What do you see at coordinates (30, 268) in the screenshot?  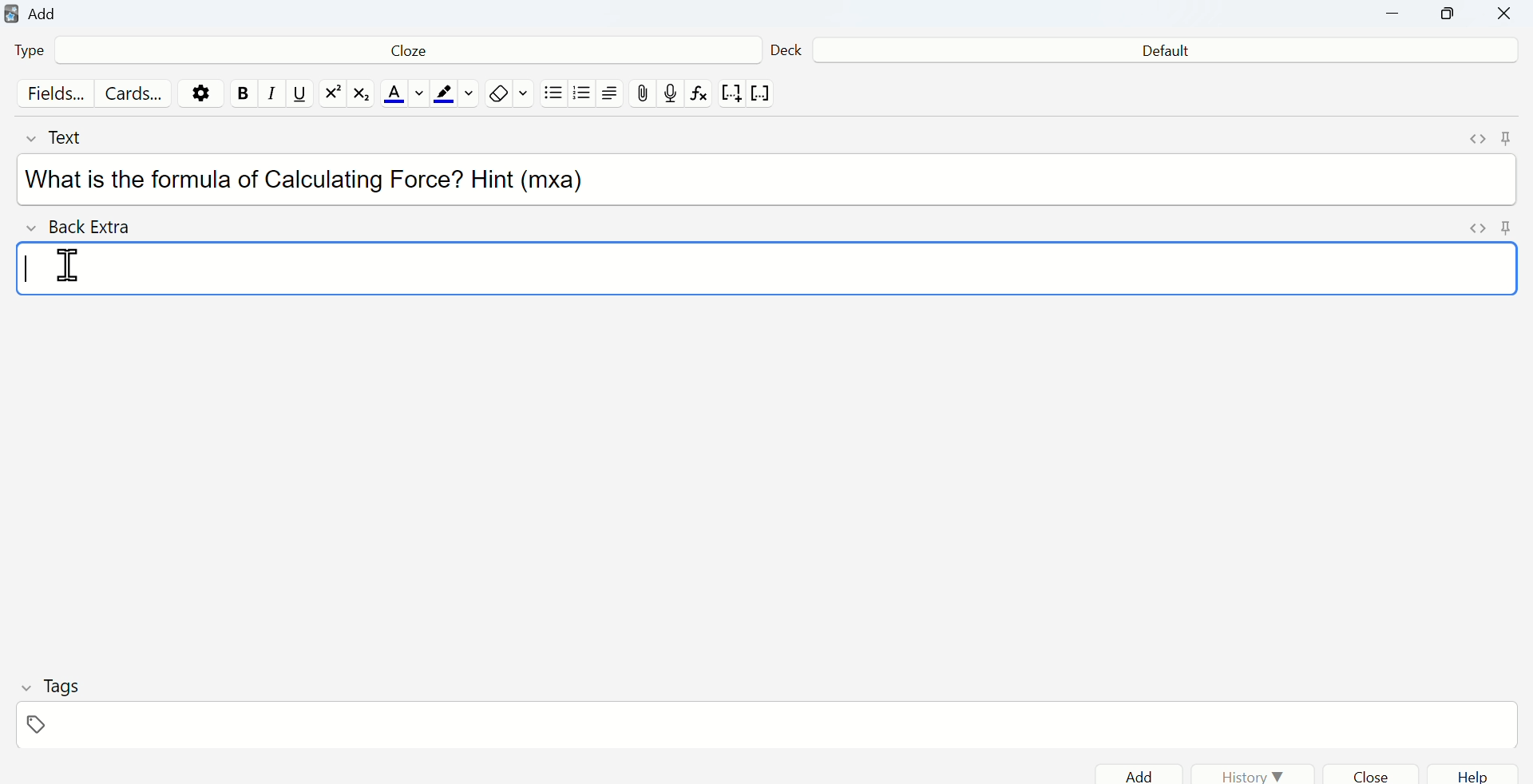 I see `Text cursor` at bounding box center [30, 268].